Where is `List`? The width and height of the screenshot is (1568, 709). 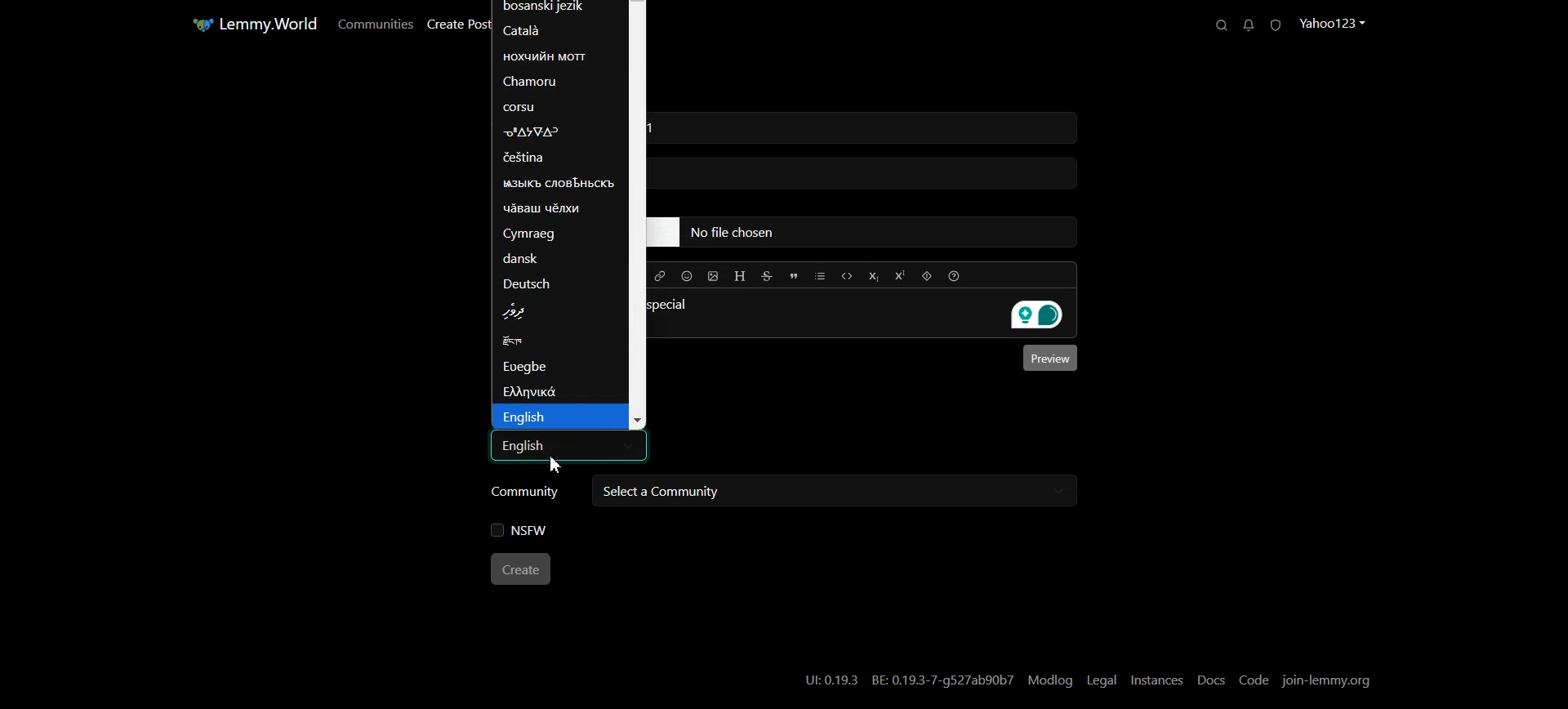 List is located at coordinates (819, 276).